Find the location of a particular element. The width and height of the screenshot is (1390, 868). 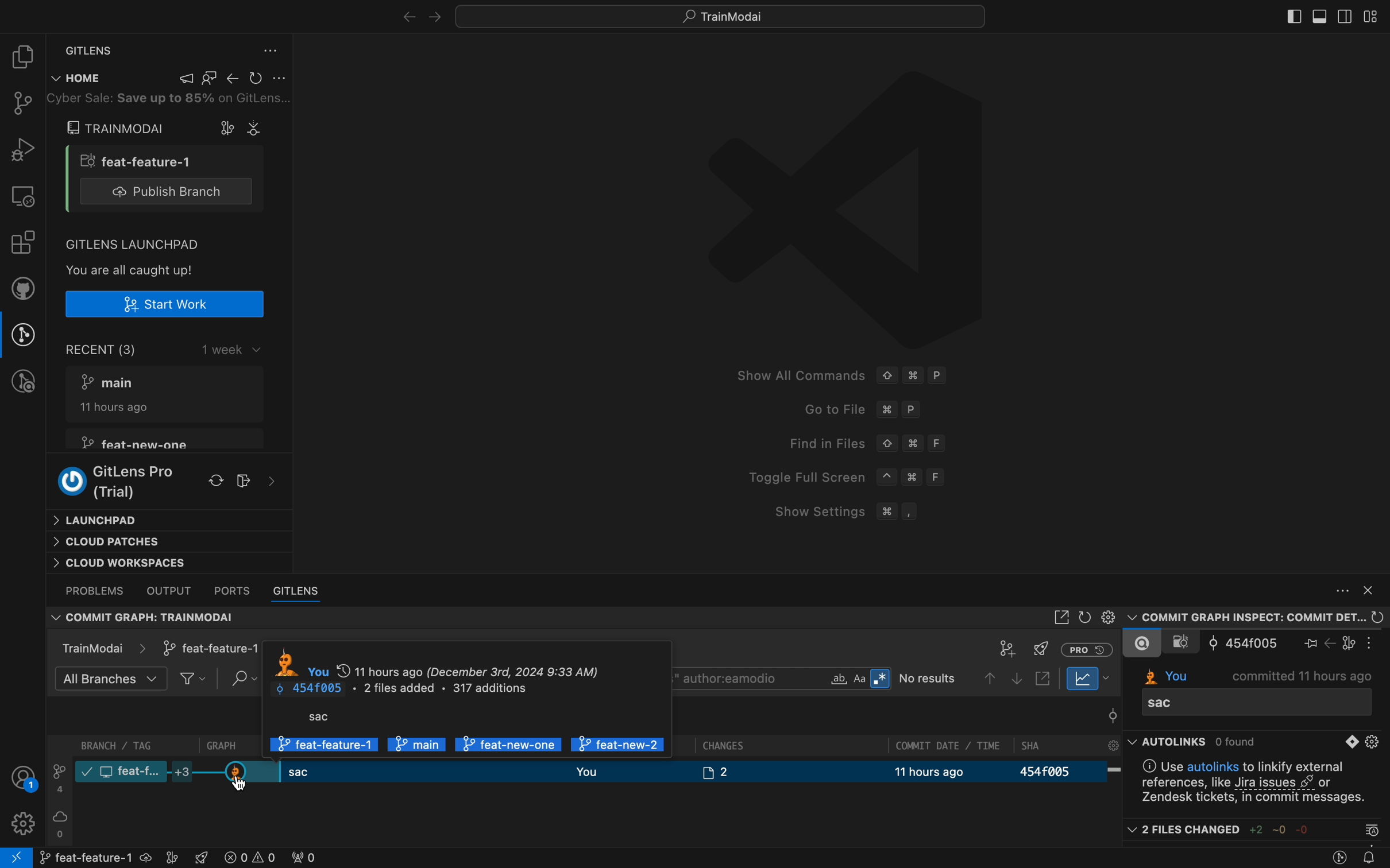

 is located at coordinates (1041, 681).